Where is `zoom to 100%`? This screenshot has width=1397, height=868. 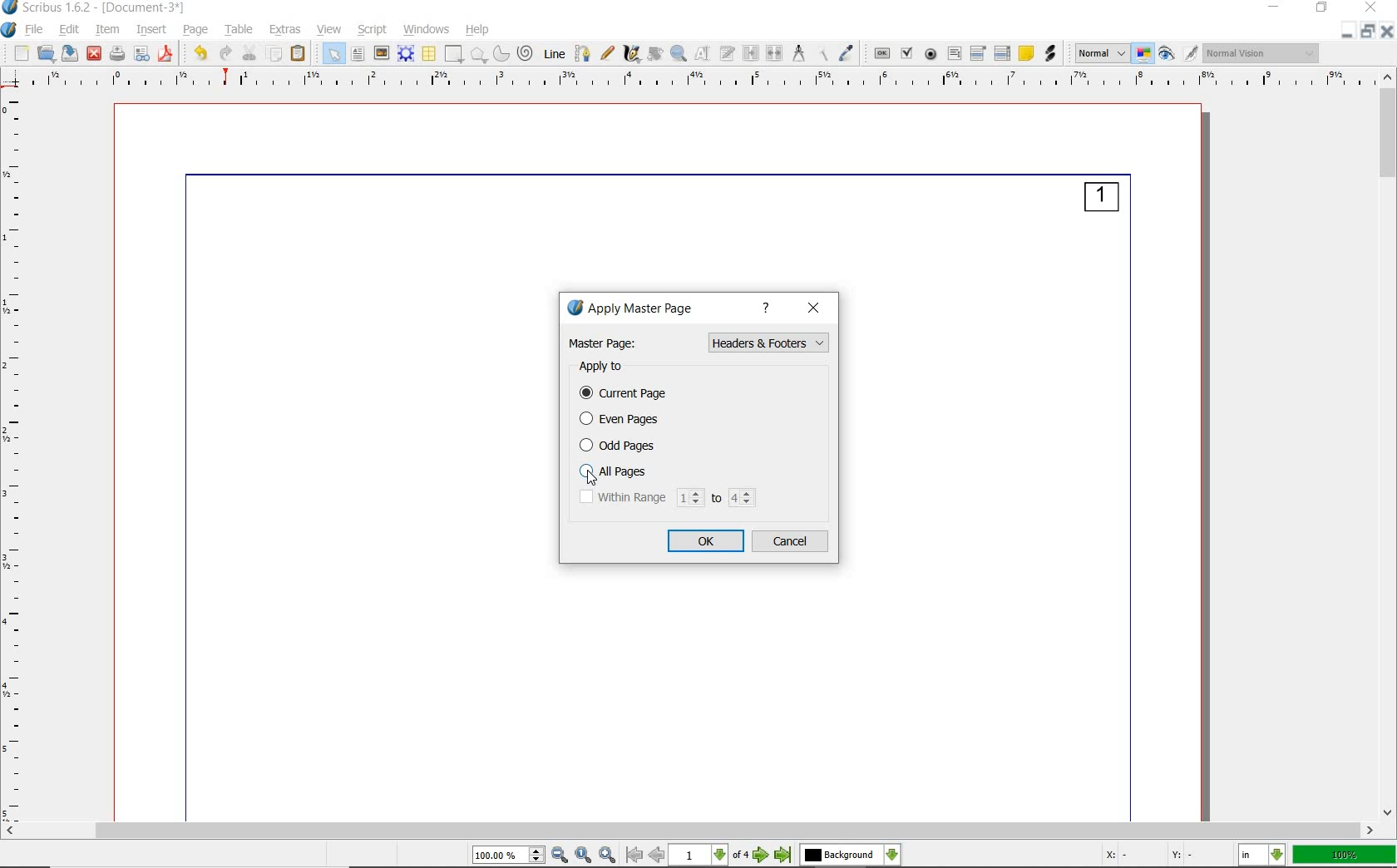 zoom to 100% is located at coordinates (585, 855).